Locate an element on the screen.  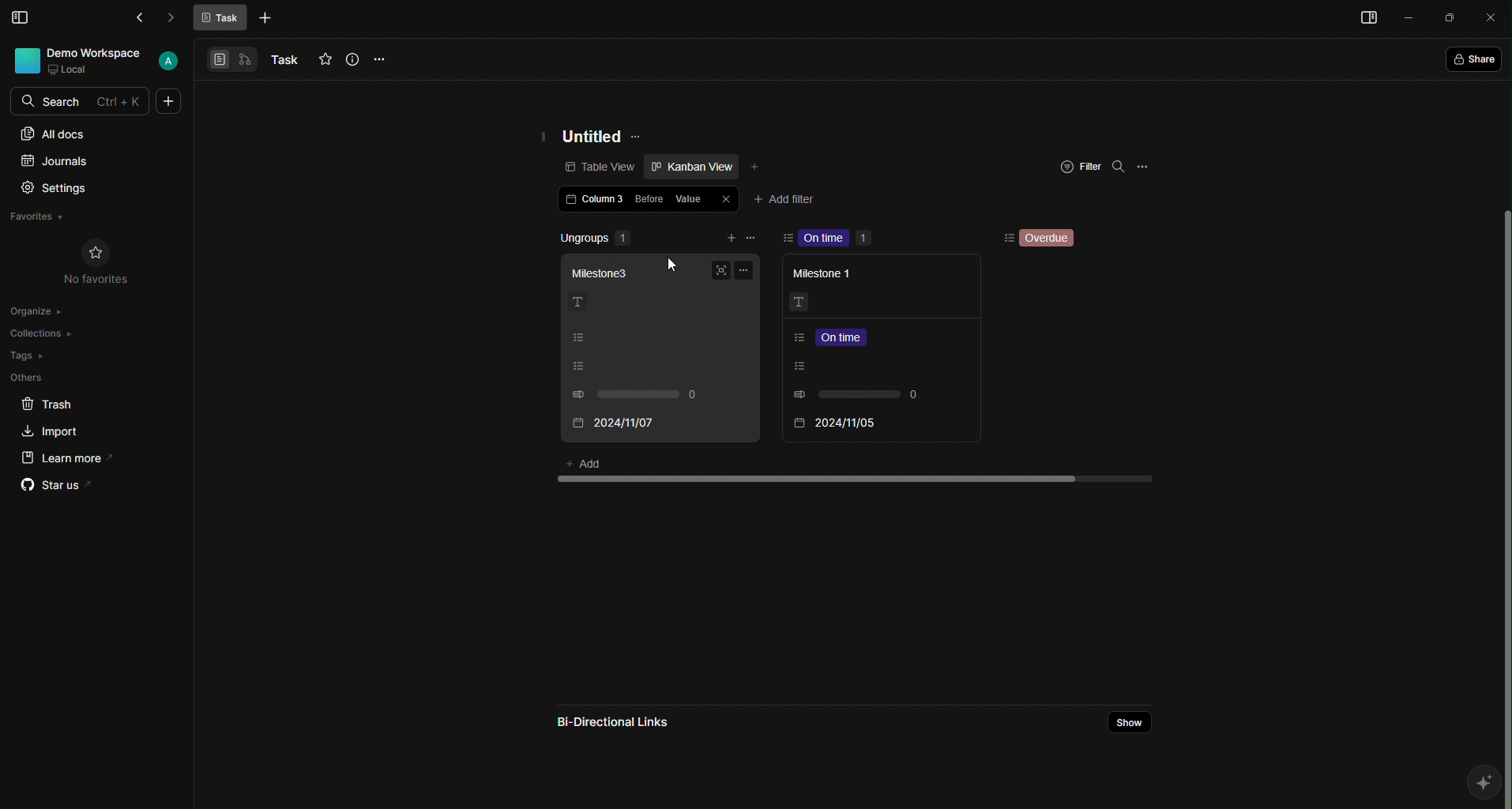
Untitled is located at coordinates (592, 134).